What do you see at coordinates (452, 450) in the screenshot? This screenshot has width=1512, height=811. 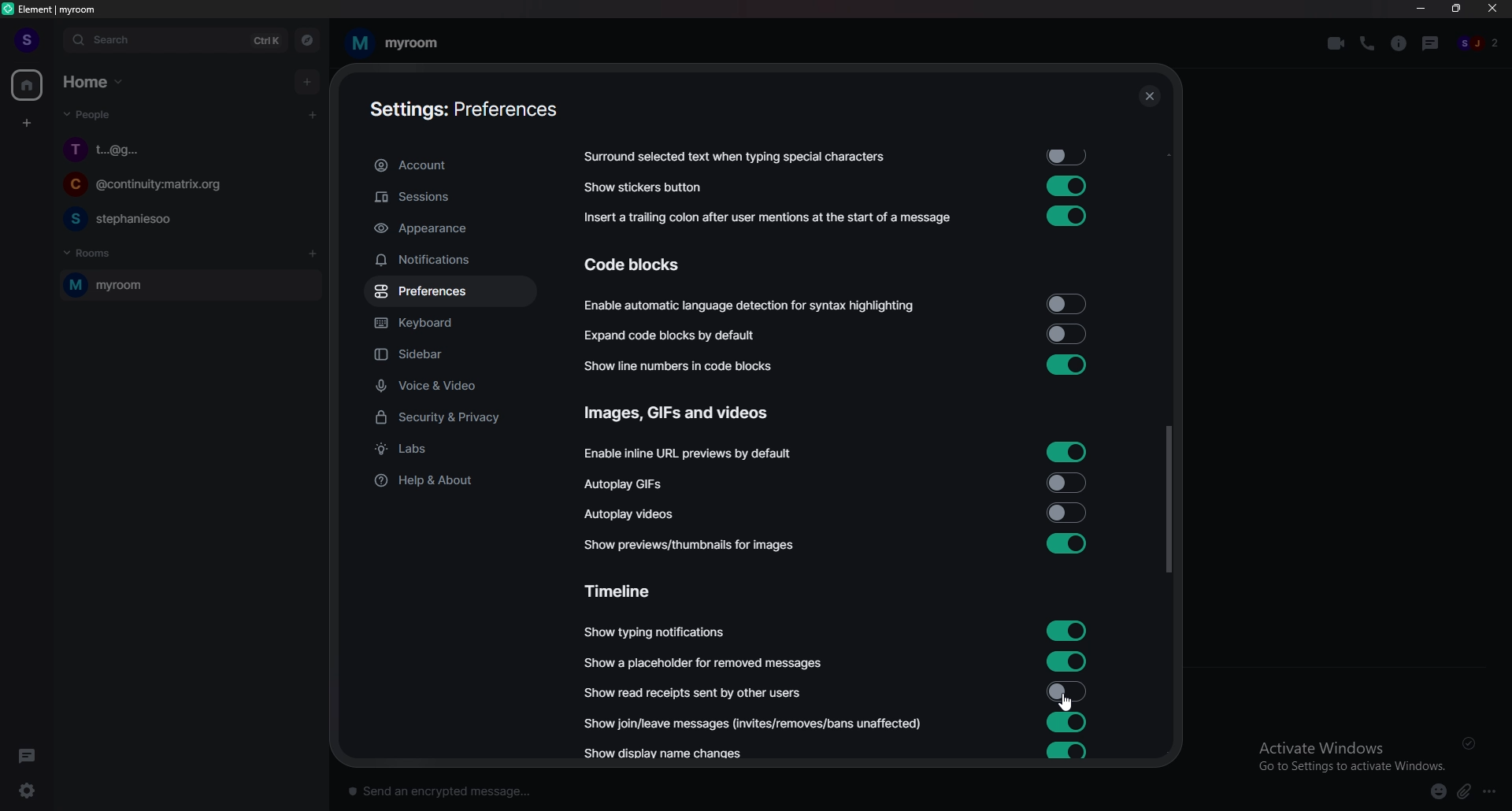 I see `labs` at bounding box center [452, 450].